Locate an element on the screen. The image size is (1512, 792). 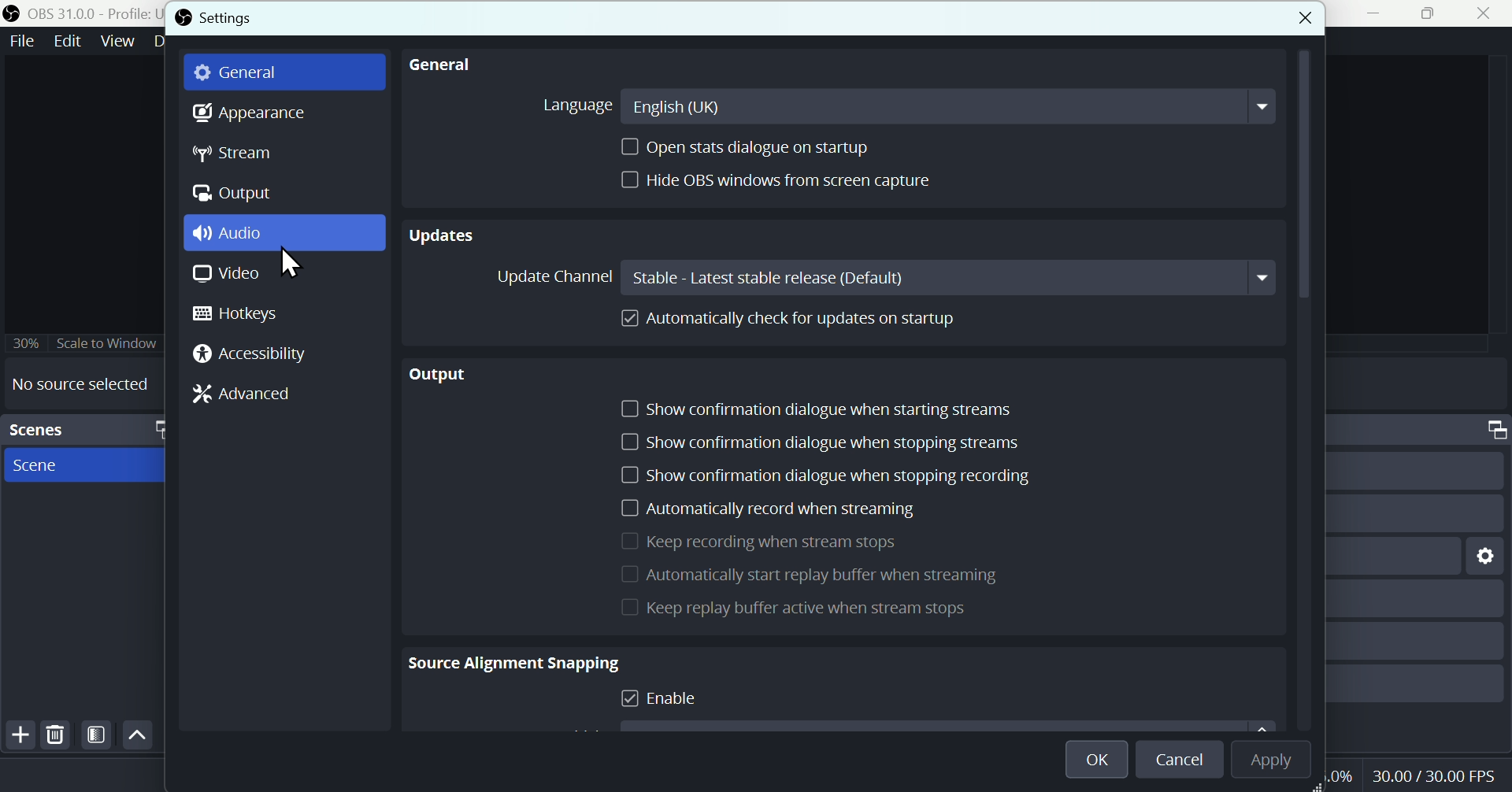
screen is located at coordinates (87, 466).